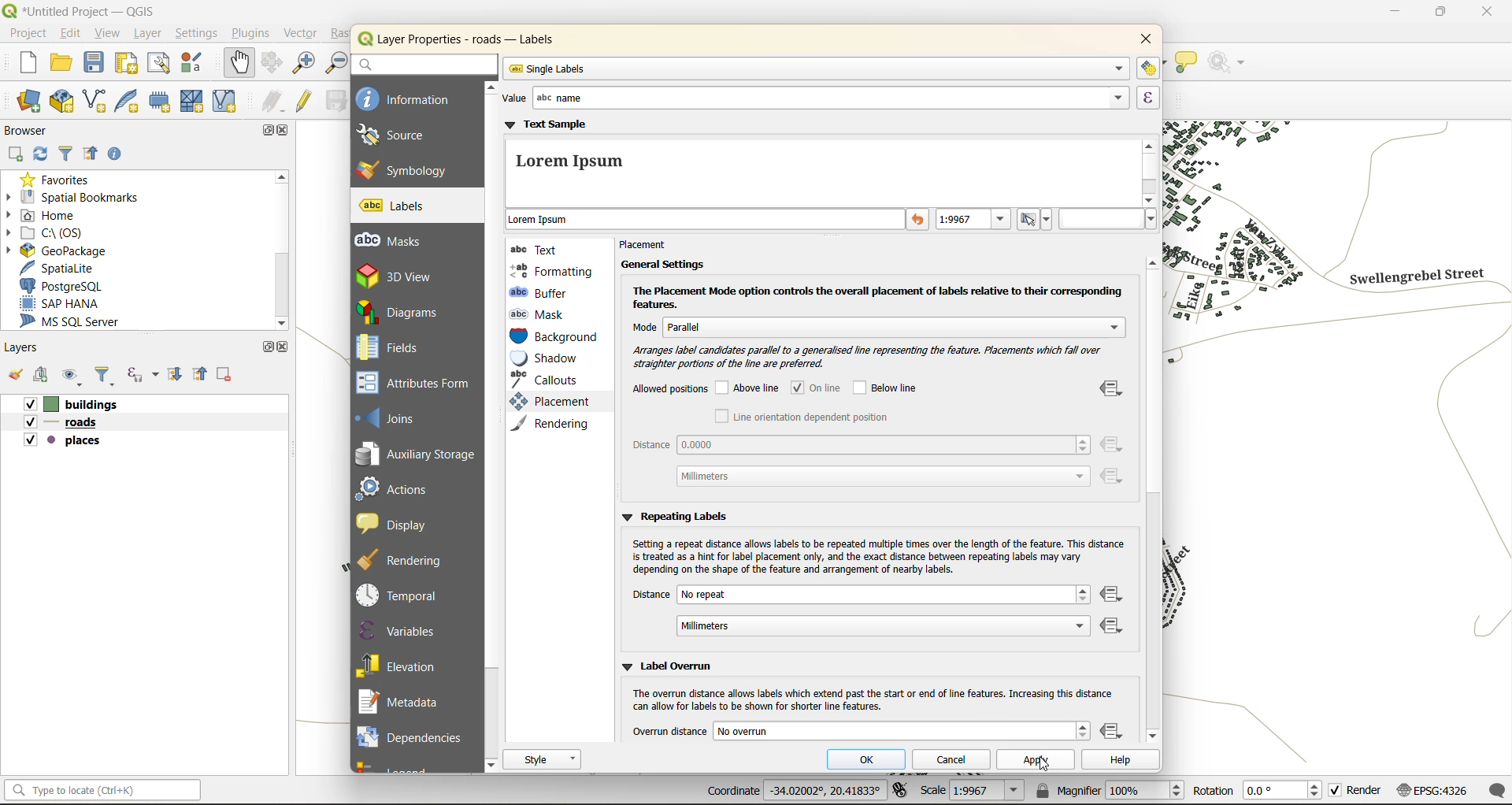 This screenshot has width=1512, height=805. I want to click on metadata, so click(405, 703).